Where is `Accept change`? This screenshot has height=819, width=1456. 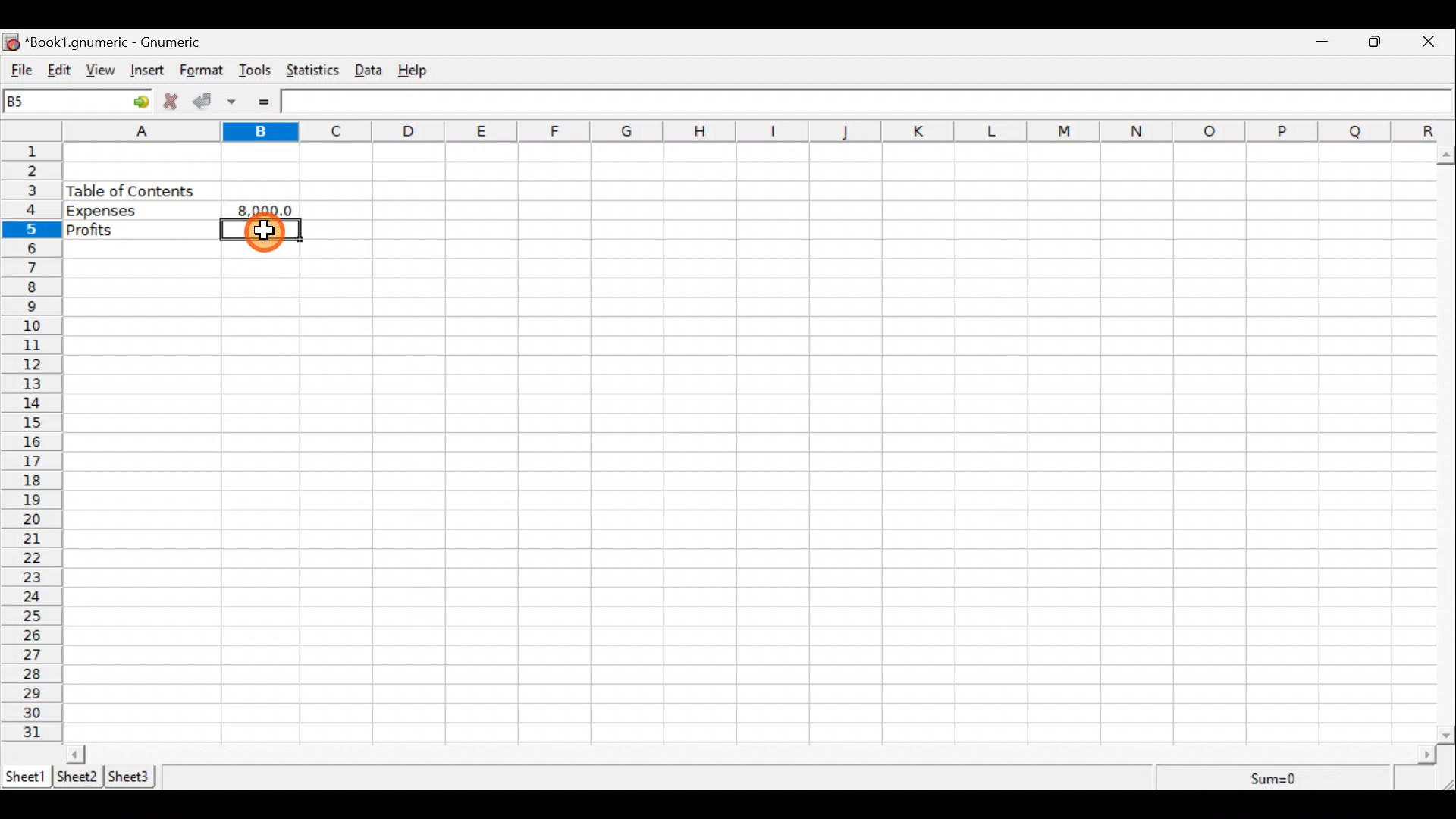 Accept change is located at coordinates (206, 102).